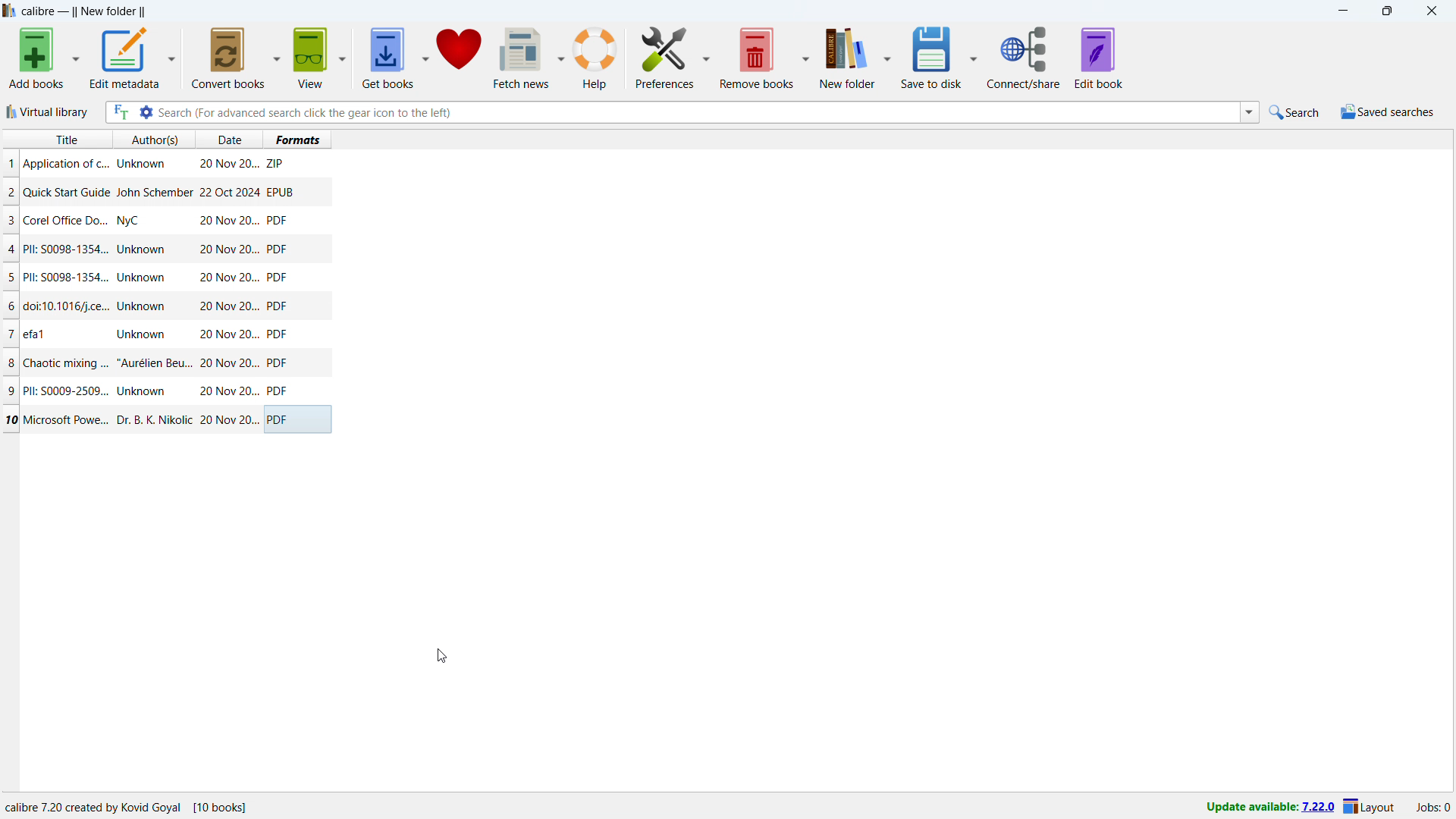 This screenshot has width=1456, height=819. I want to click on 20 Nov 20..., so click(227, 306).